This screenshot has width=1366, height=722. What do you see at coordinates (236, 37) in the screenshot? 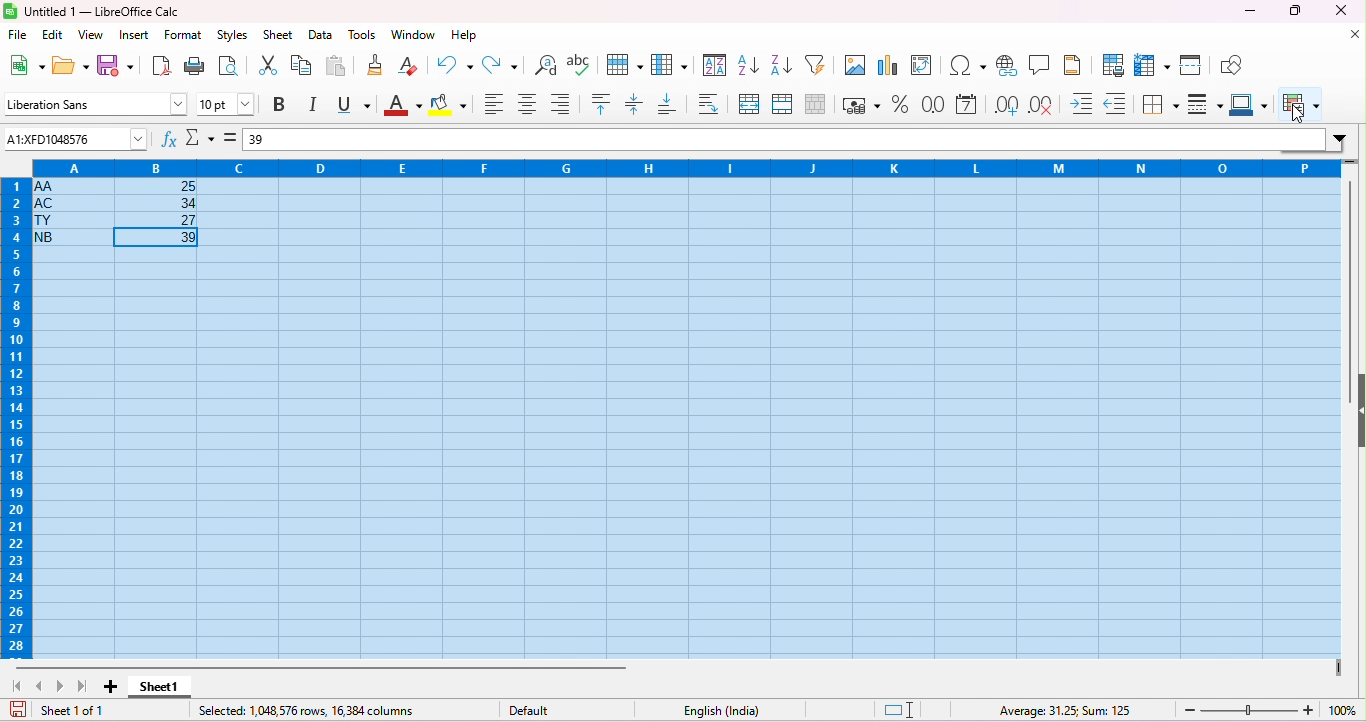
I see `styles` at bounding box center [236, 37].